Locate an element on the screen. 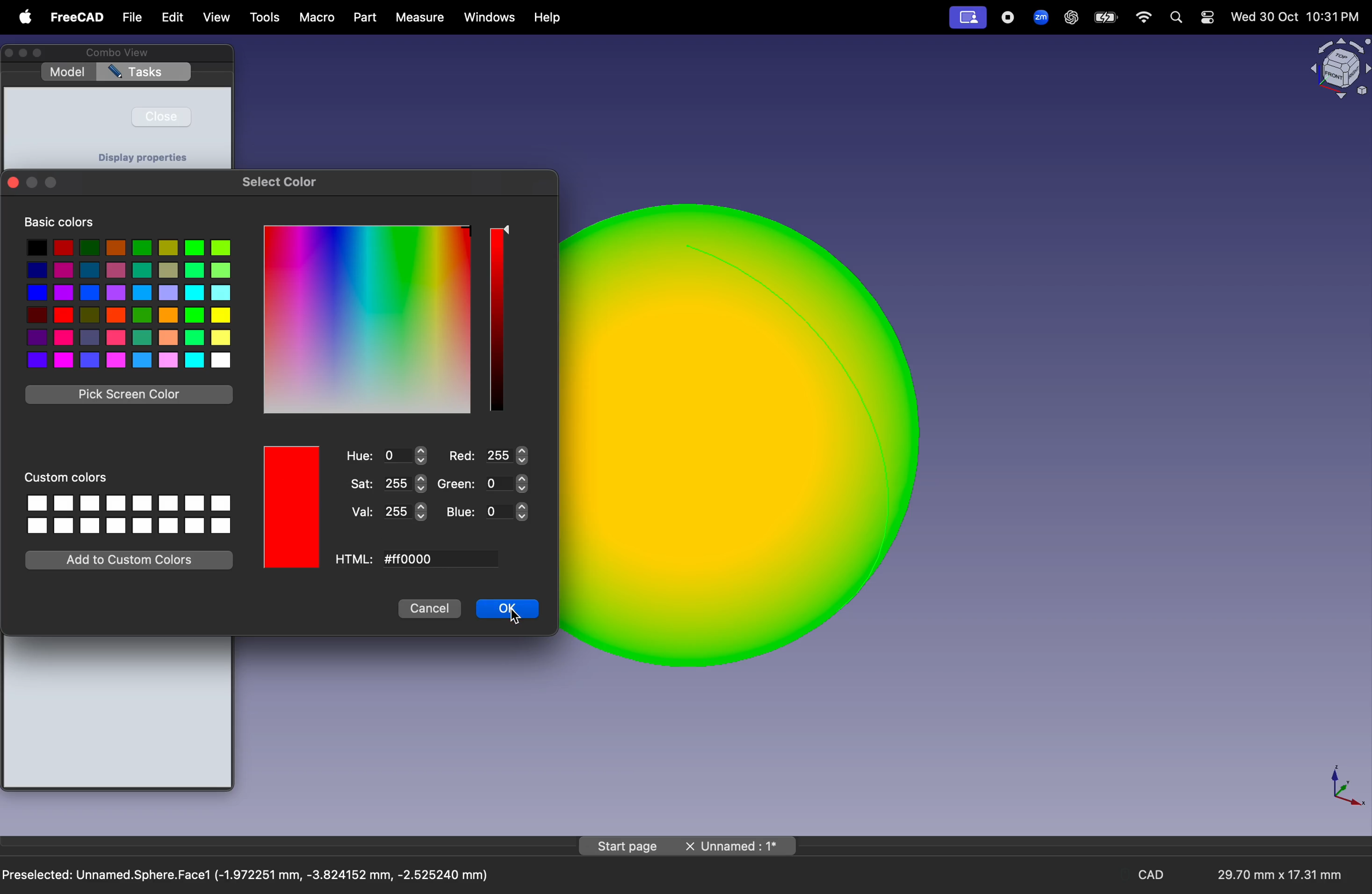  colors selection is located at coordinates (127, 303).